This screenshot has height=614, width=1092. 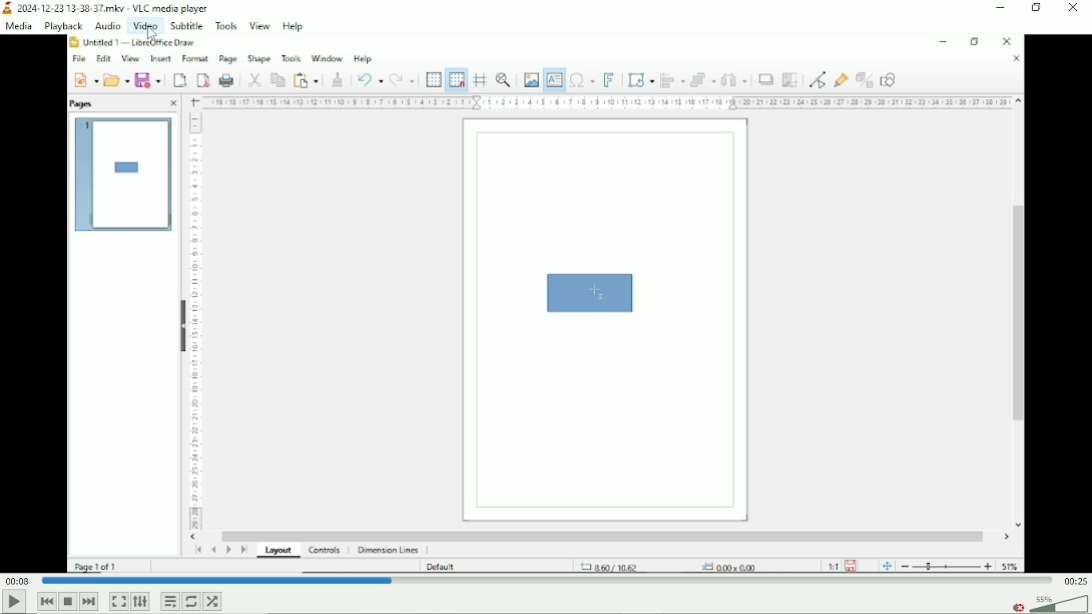 What do you see at coordinates (14, 602) in the screenshot?
I see `Play` at bounding box center [14, 602].